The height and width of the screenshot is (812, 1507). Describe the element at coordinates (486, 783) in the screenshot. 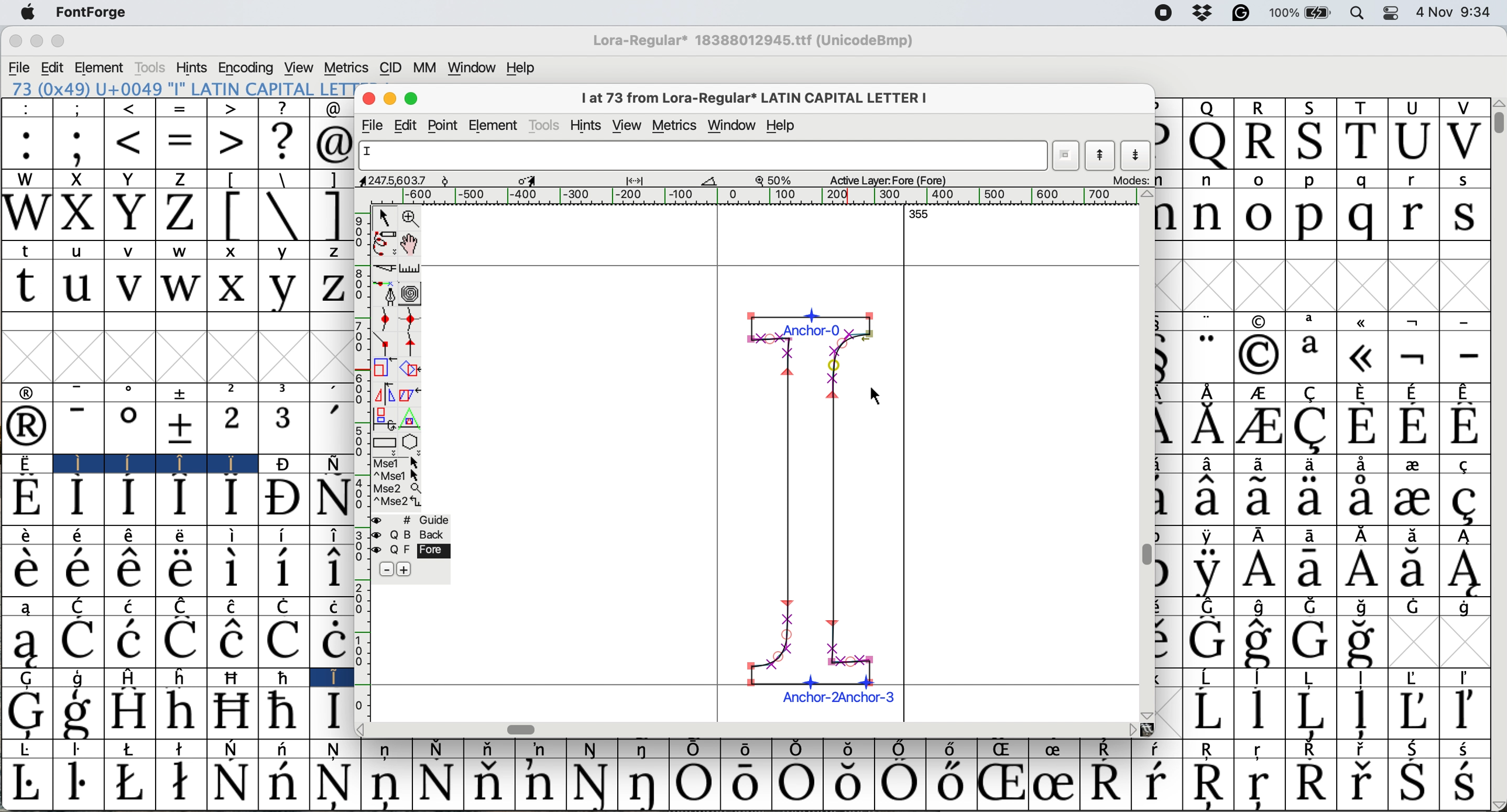

I see `Symbol` at that location.